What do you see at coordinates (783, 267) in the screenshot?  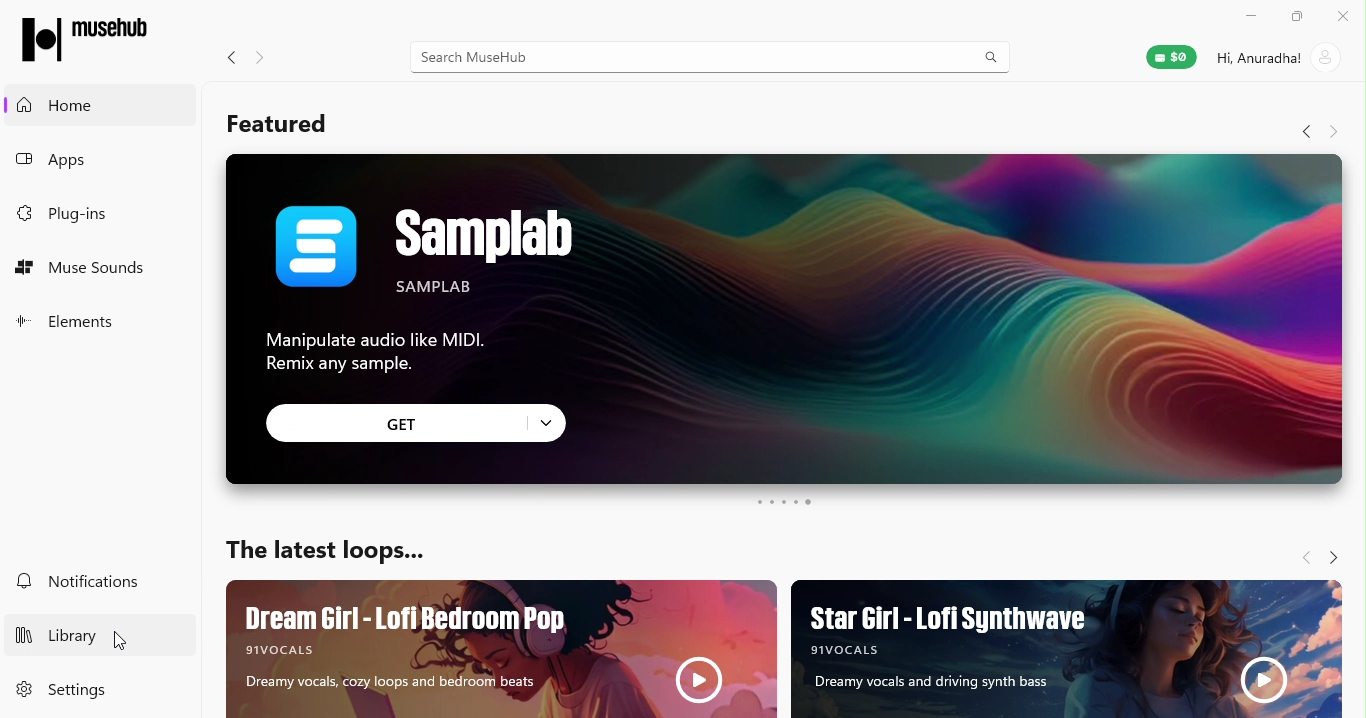 I see `Samplab Ad` at bounding box center [783, 267].